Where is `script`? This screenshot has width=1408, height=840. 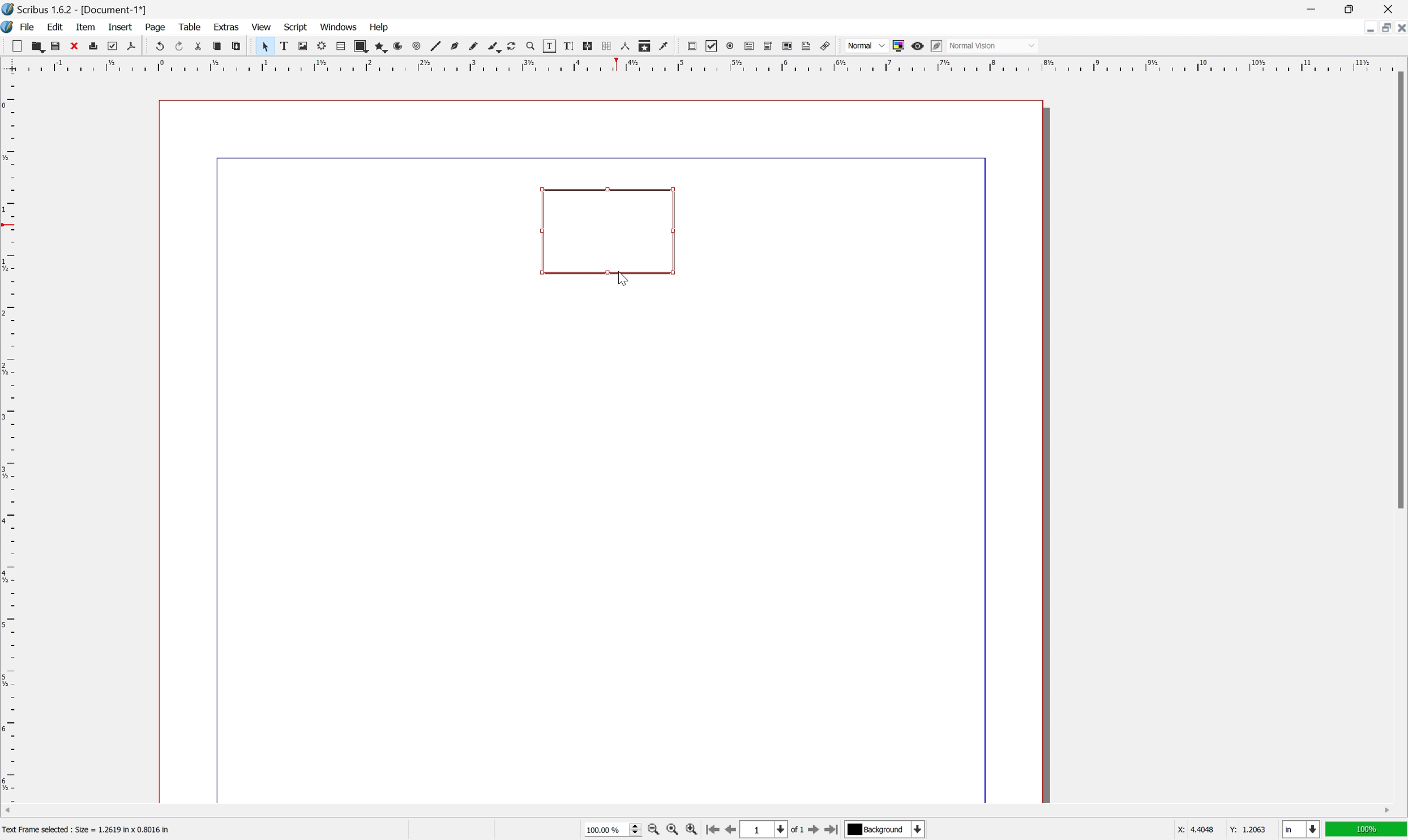 script is located at coordinates (297, 26).